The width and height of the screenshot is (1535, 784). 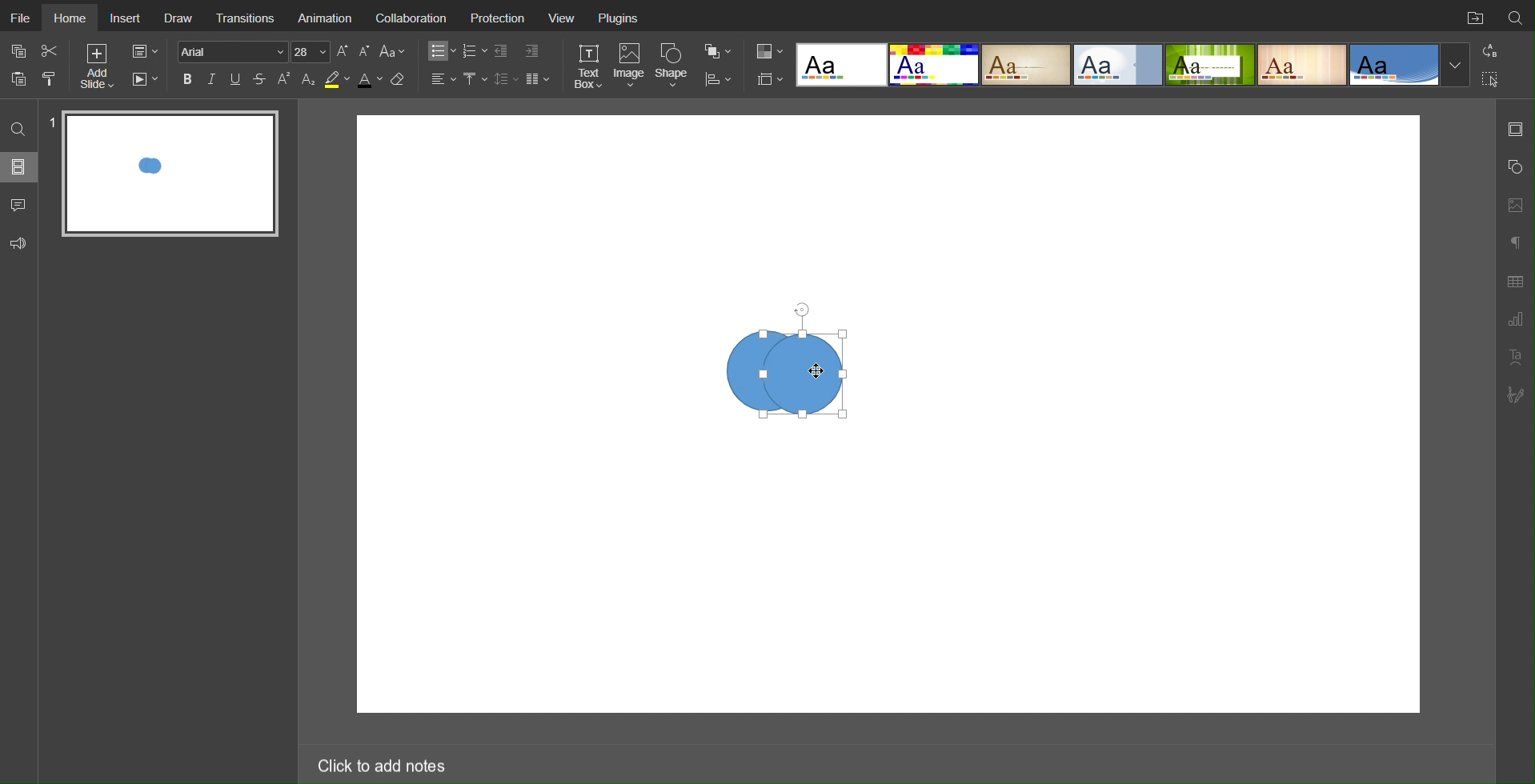 I want to click on Cursor, so click(x=816, y=372).